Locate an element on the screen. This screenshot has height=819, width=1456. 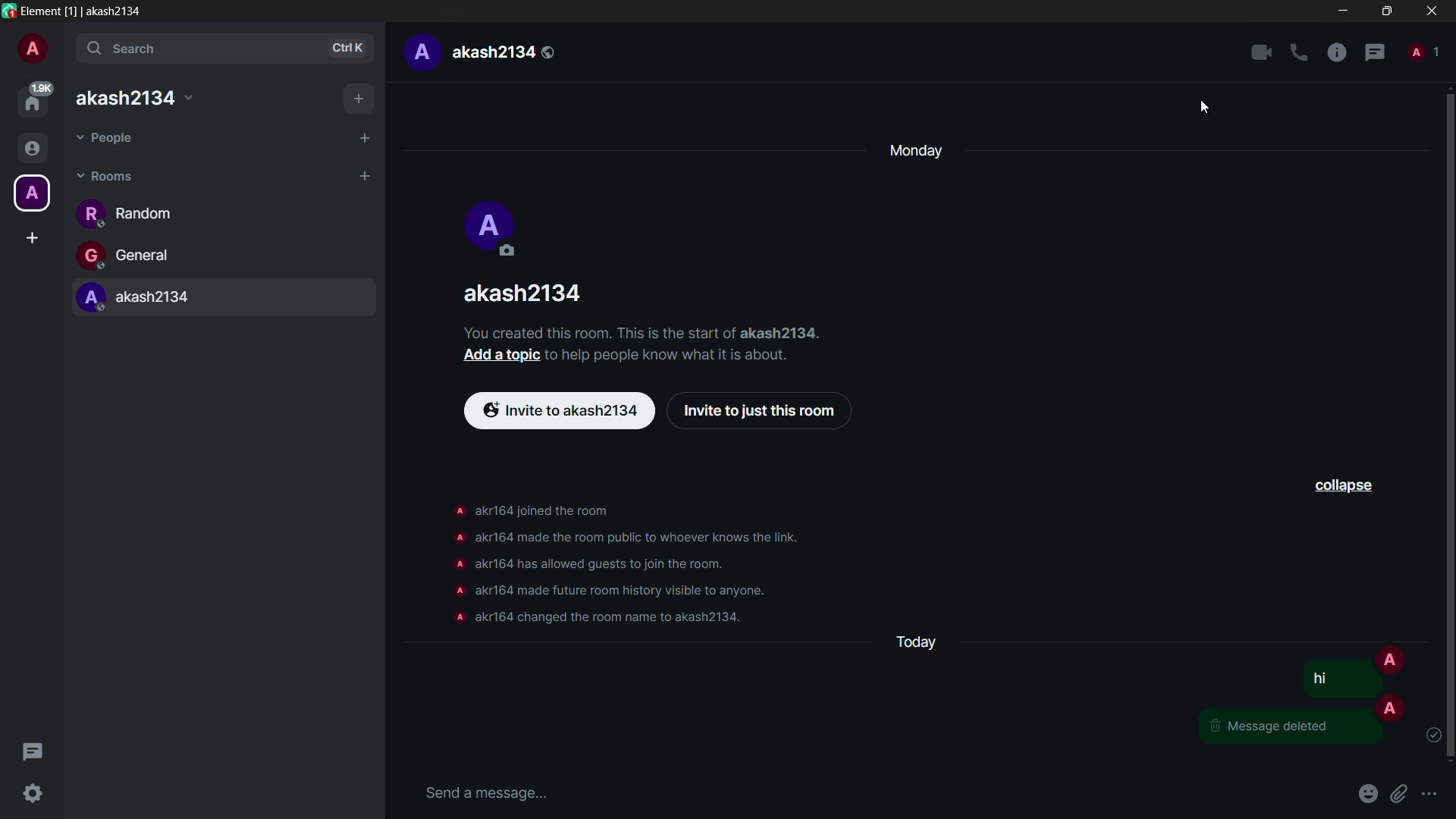
[1] | akash2134 is located at coordinates (107, 11).